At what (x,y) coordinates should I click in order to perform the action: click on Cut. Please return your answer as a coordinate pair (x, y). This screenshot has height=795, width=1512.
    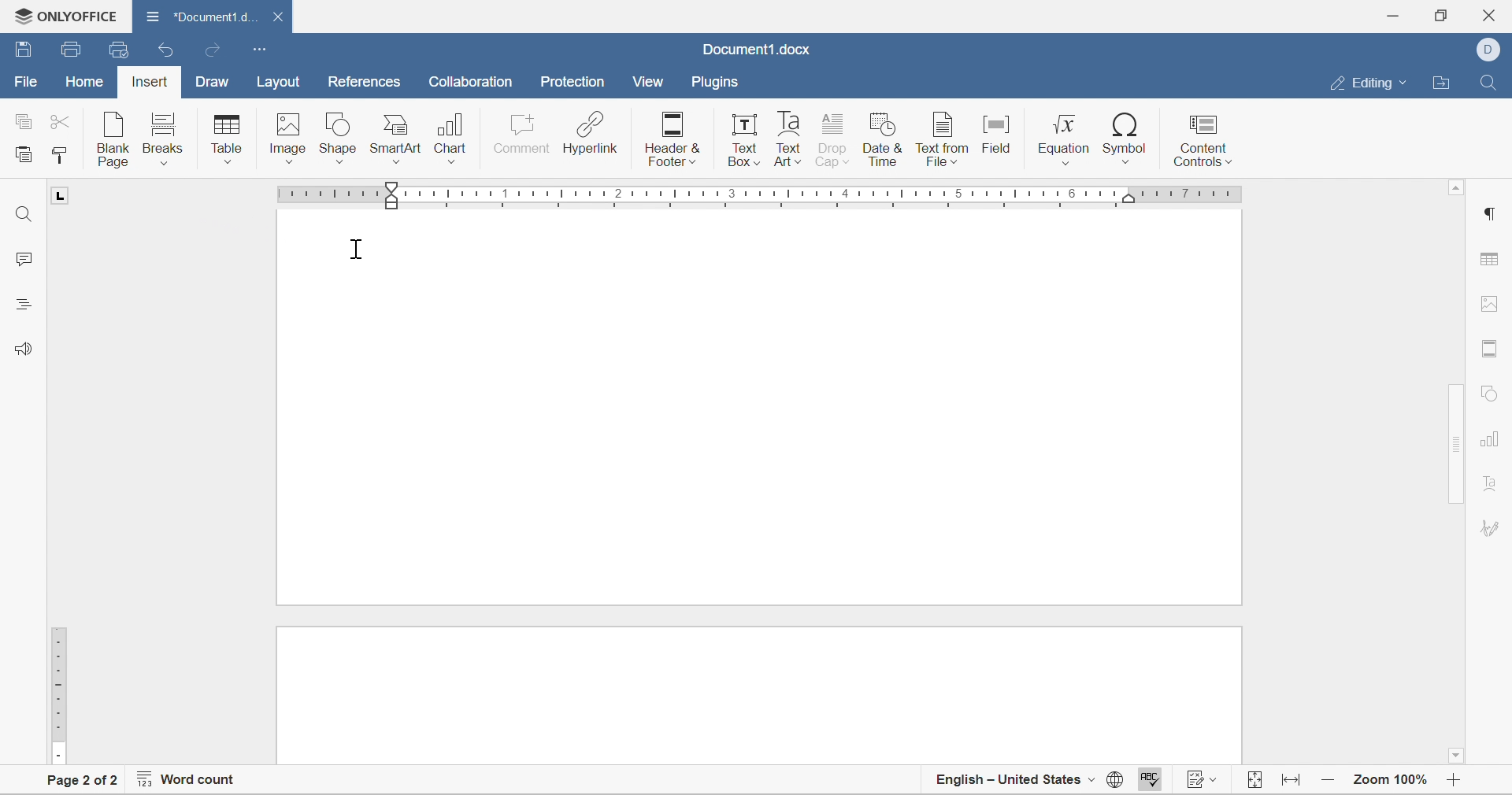
    Looking at the image, I should click on (64, 120).